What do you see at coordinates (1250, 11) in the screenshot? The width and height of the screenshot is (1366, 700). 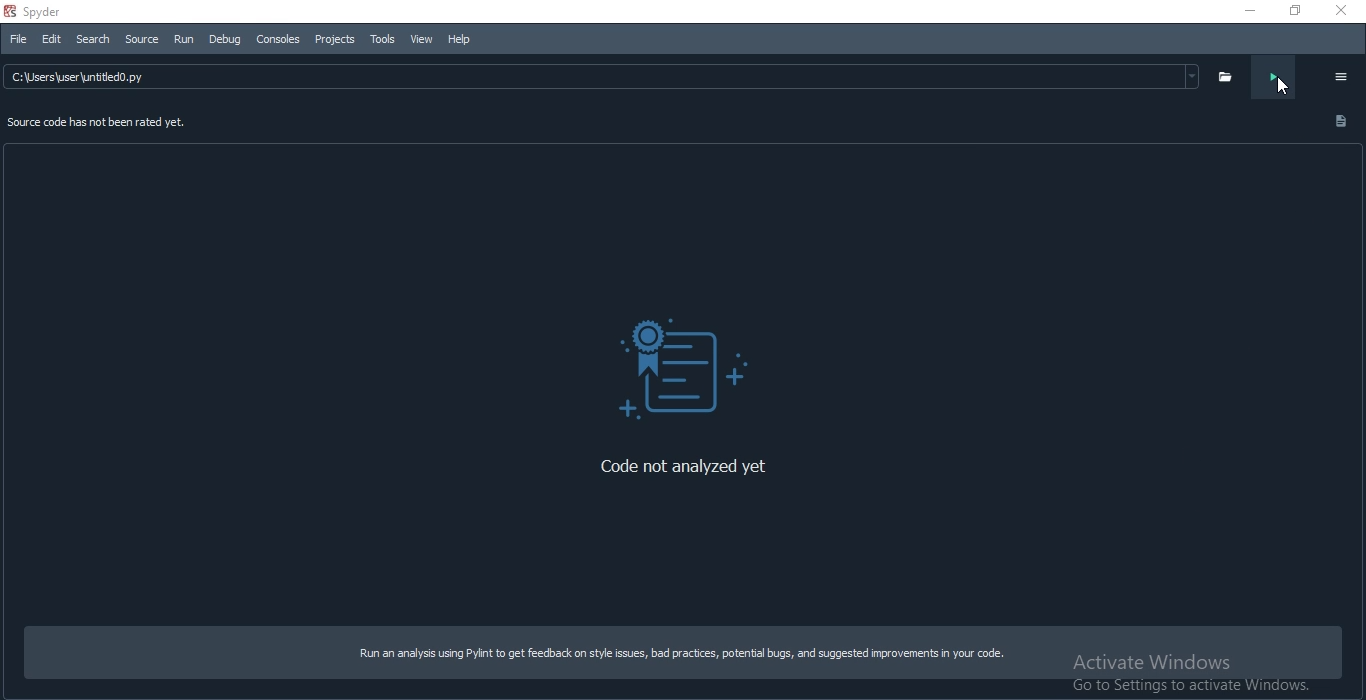 I see `Minimise` at bounding box center [1250, 11].